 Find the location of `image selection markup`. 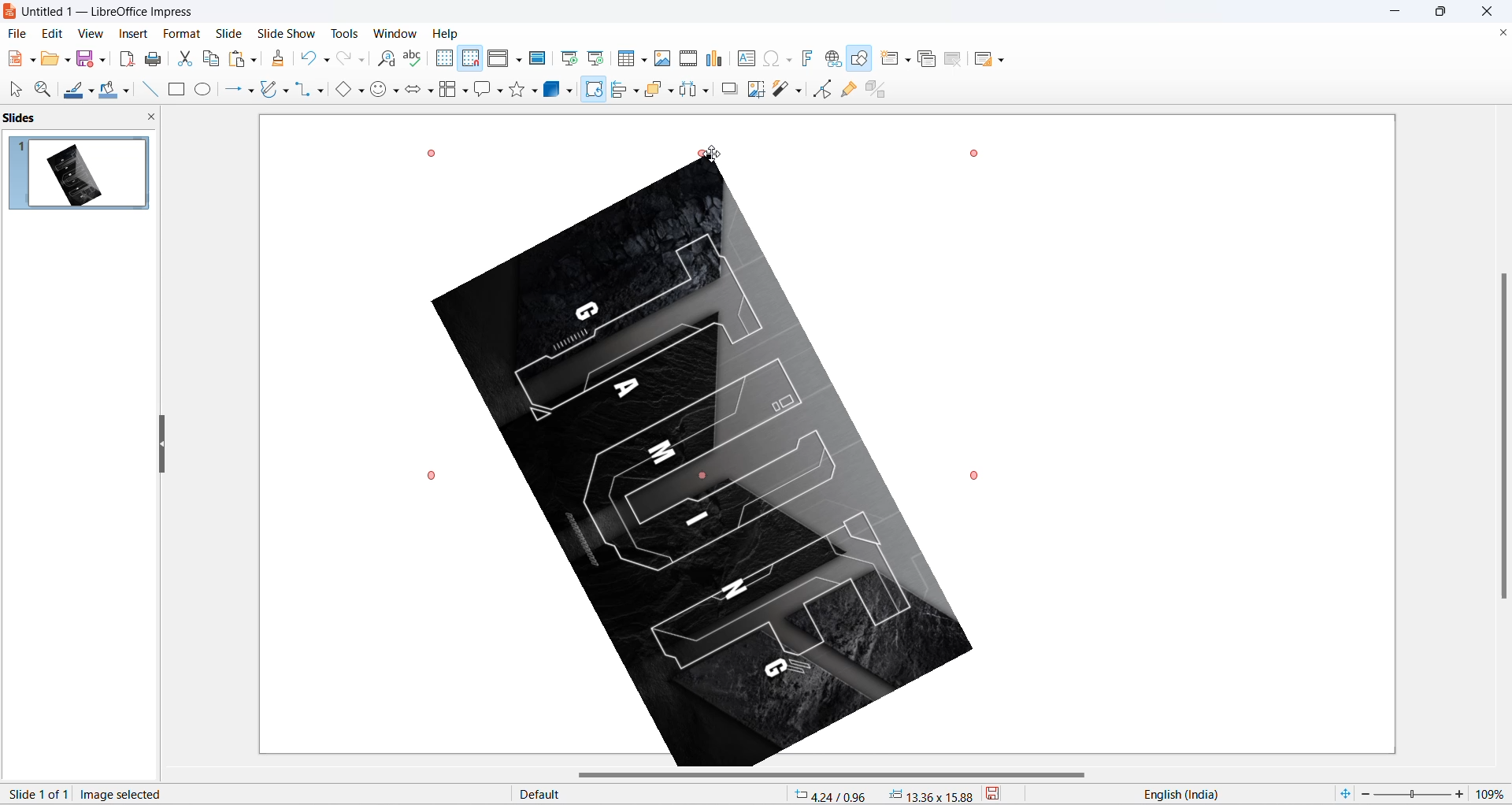

image selection markup is located at coordinates (979, 152).